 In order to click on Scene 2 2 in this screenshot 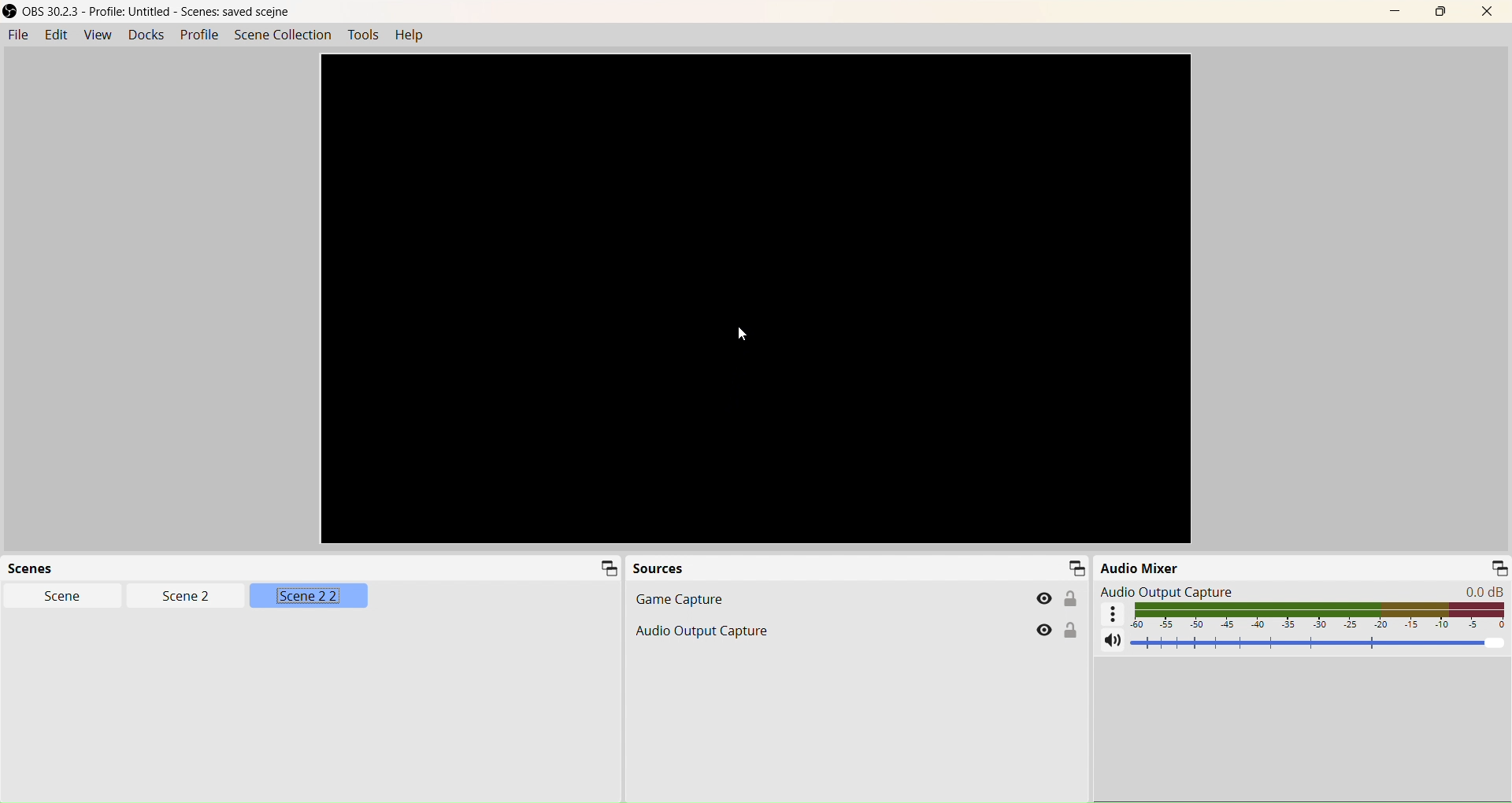, I will do `click(311, 595)`.